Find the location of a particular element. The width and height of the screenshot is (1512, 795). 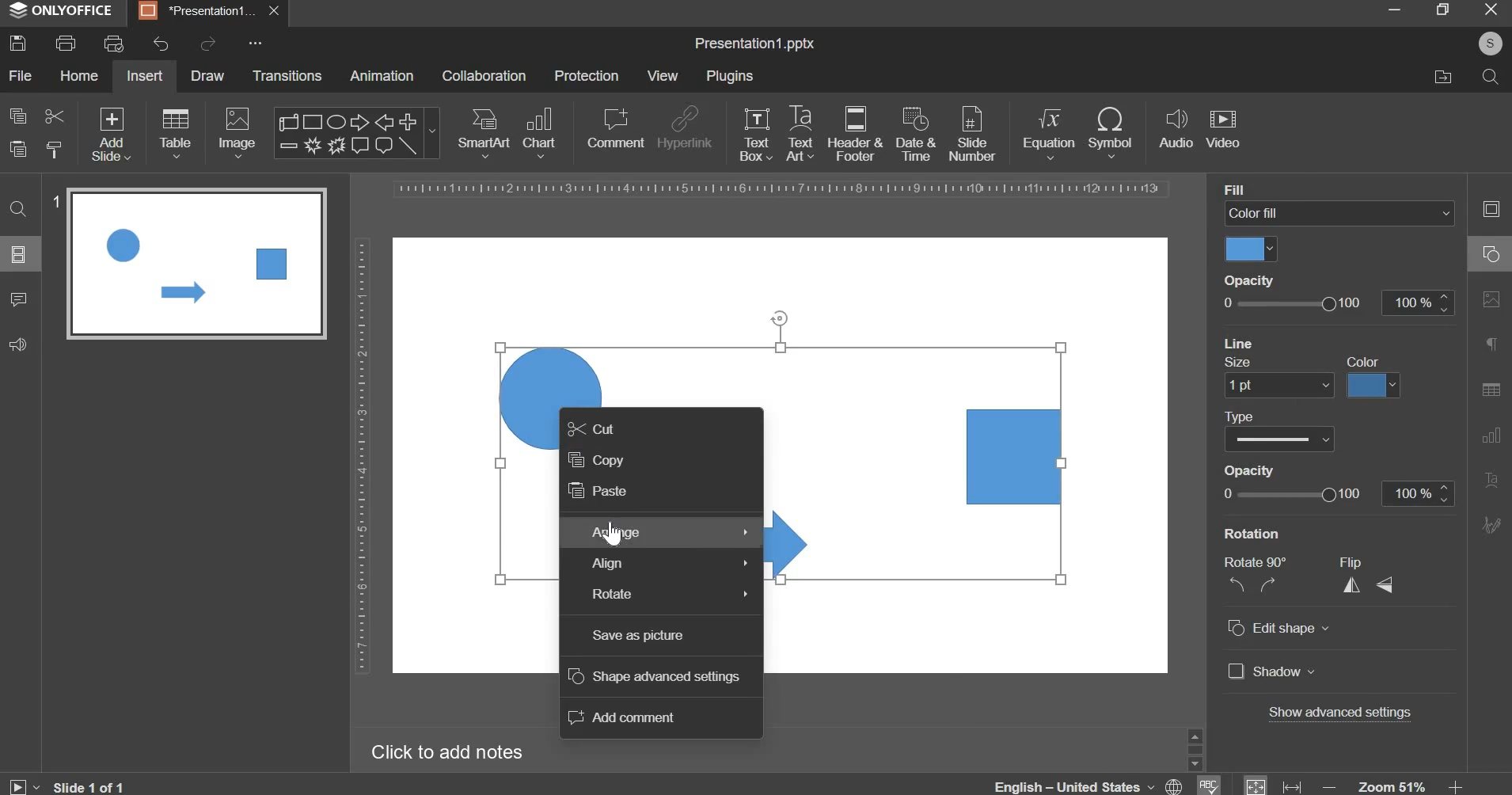

collaboration is located at coordinates (484, 76).